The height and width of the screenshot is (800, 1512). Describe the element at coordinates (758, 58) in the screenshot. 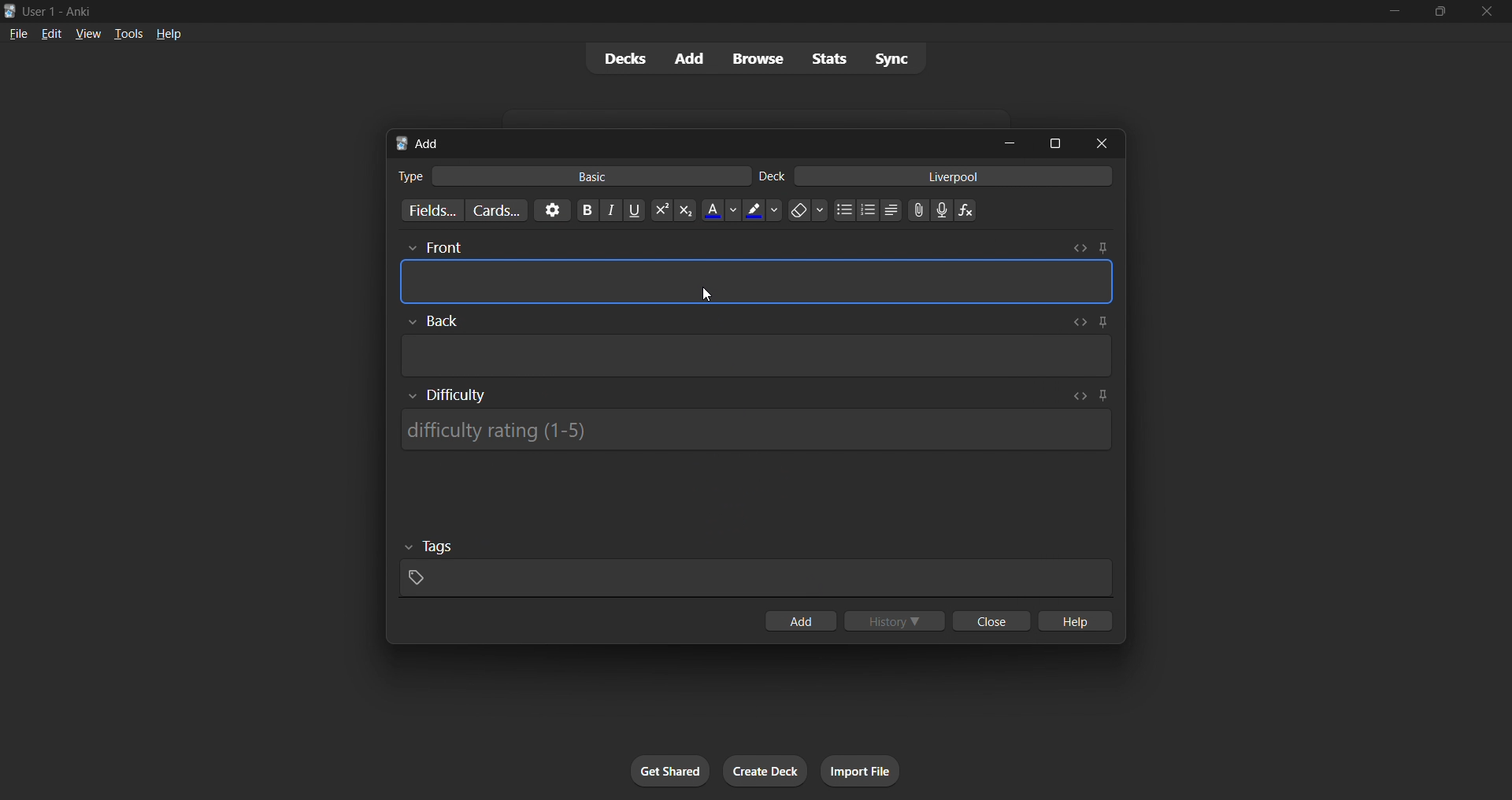

I see `browse` at that location.